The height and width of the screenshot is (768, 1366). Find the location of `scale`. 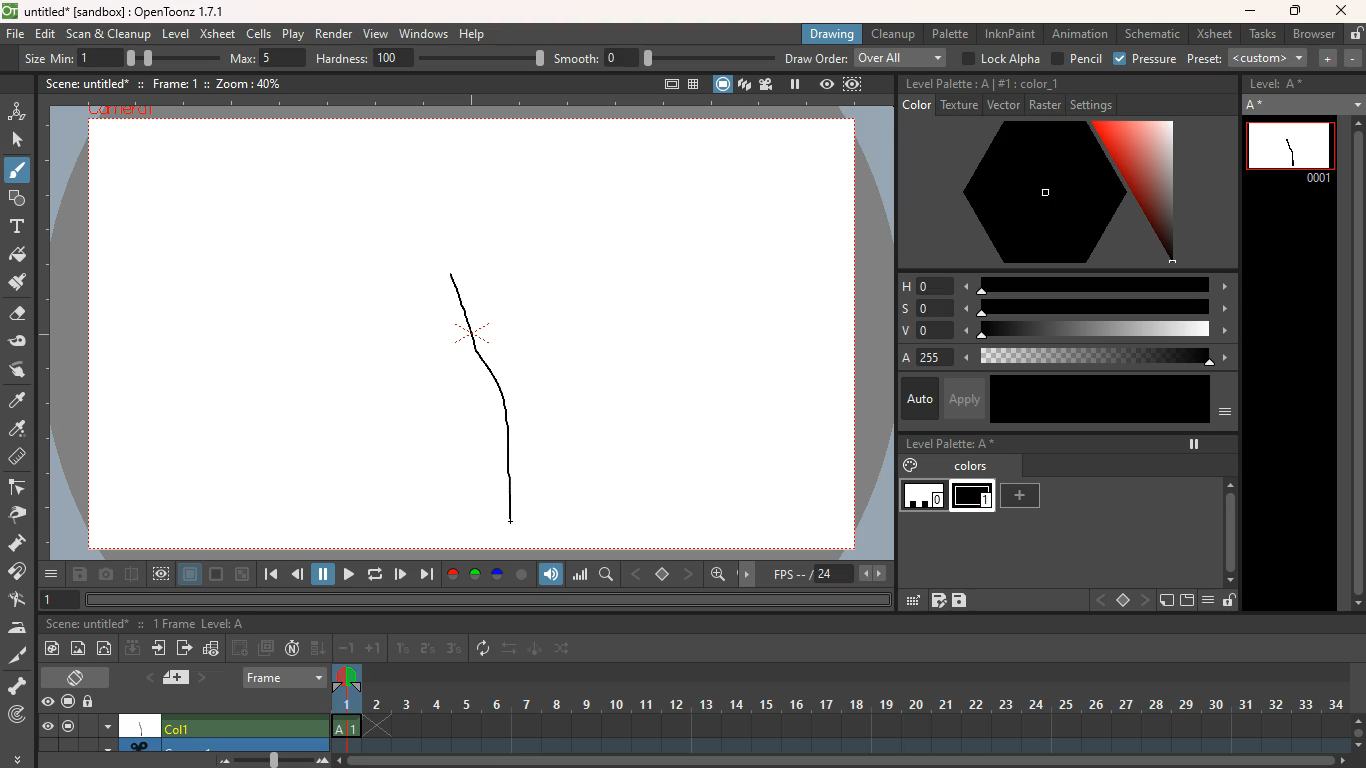

scale is located at coordinates (1096, 284).